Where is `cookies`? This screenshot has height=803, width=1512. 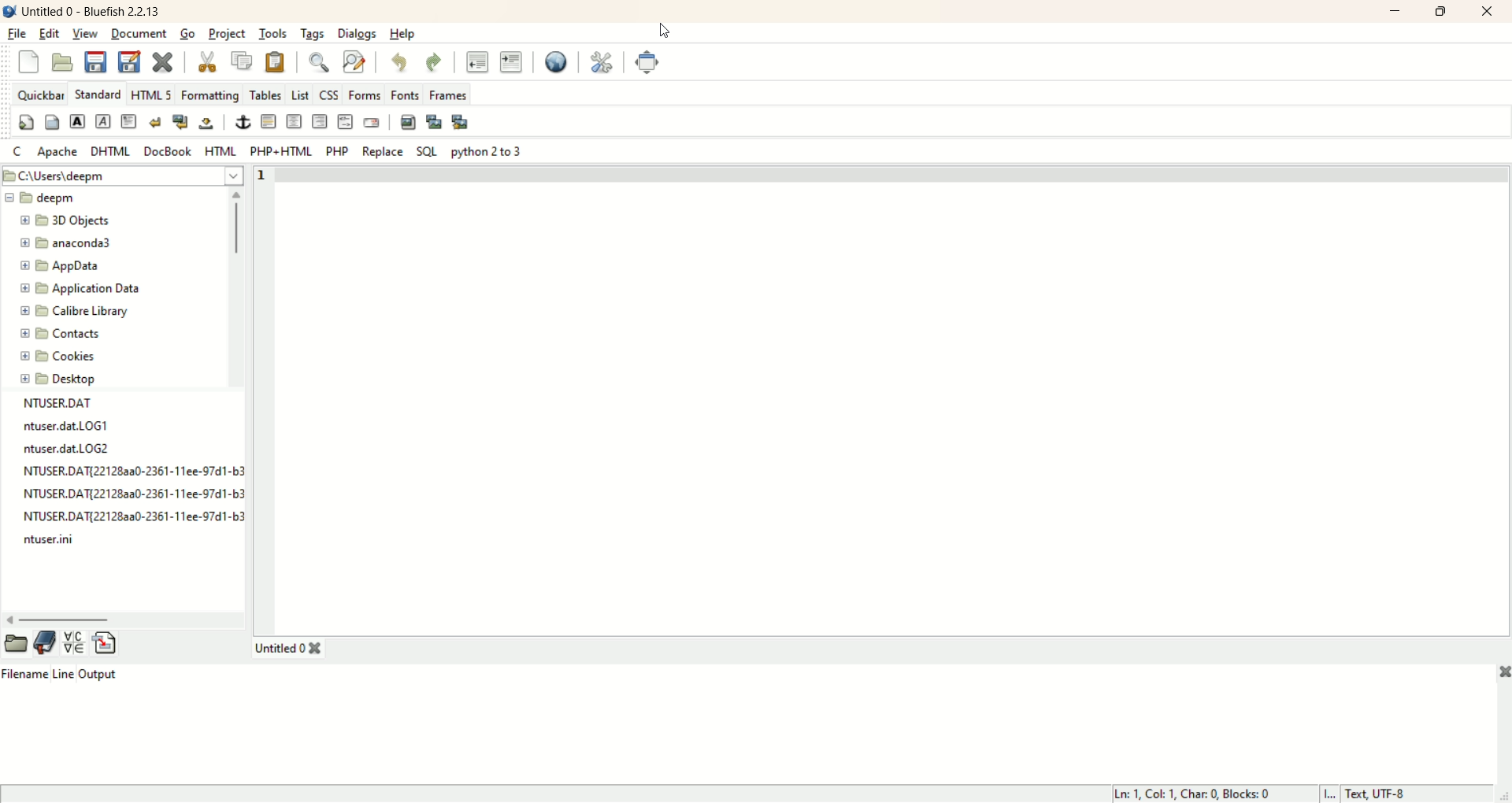 cookies is located at coordinates (60, 358).